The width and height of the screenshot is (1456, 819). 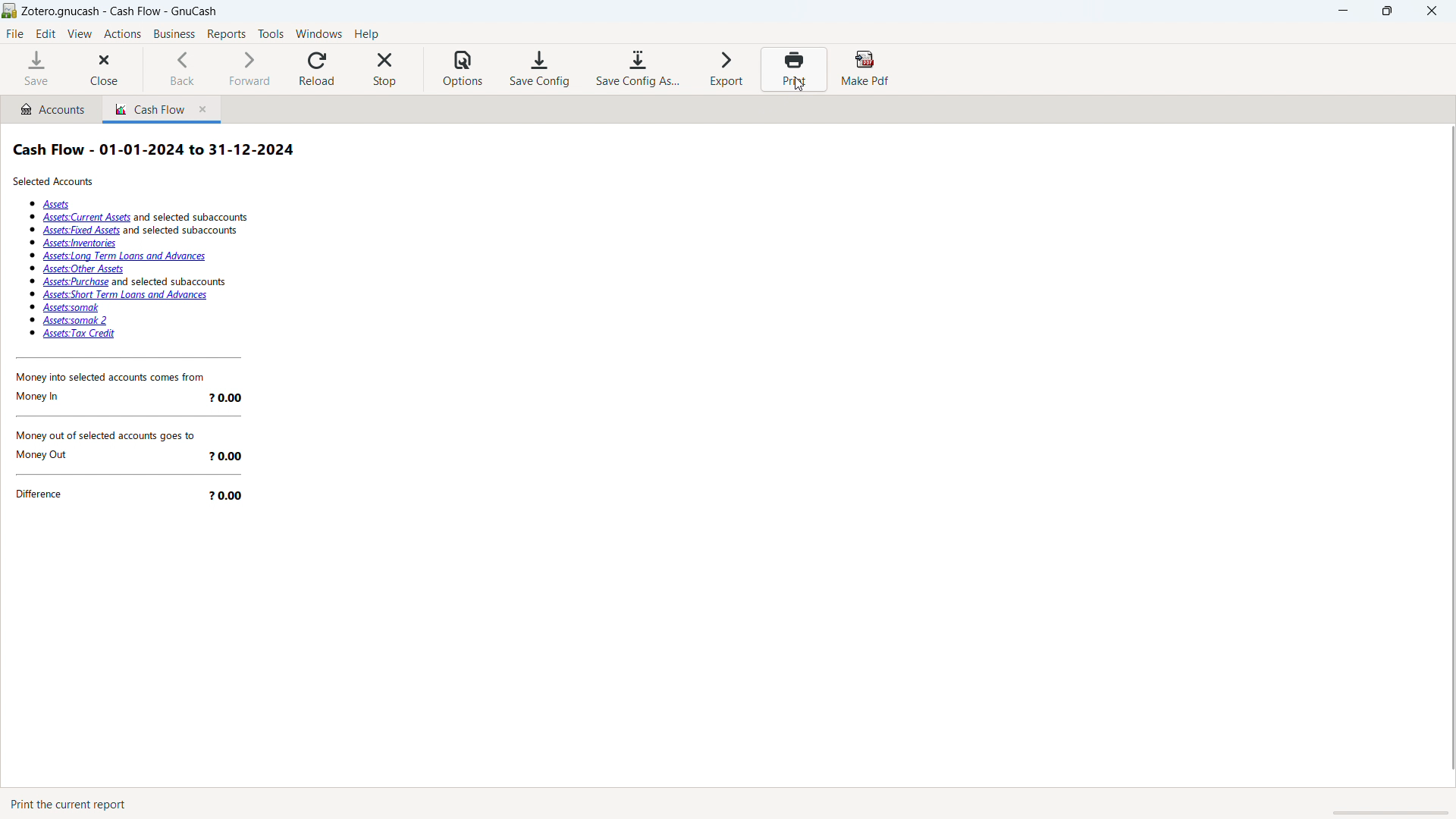 I want to click on make pdf, so click(x=864, y=69).